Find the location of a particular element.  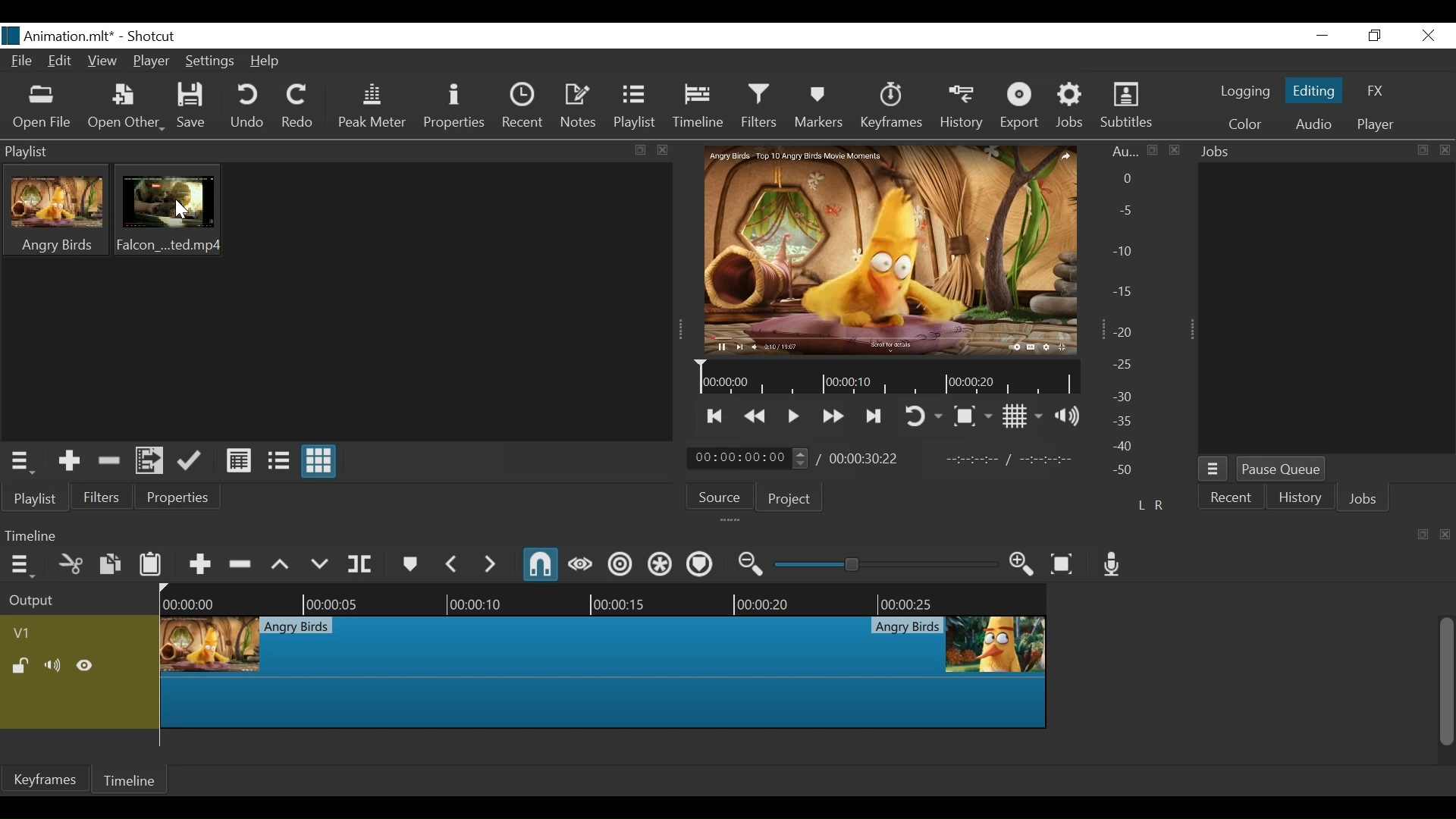

Skip to the previous point is located at coordinates (715, 418).